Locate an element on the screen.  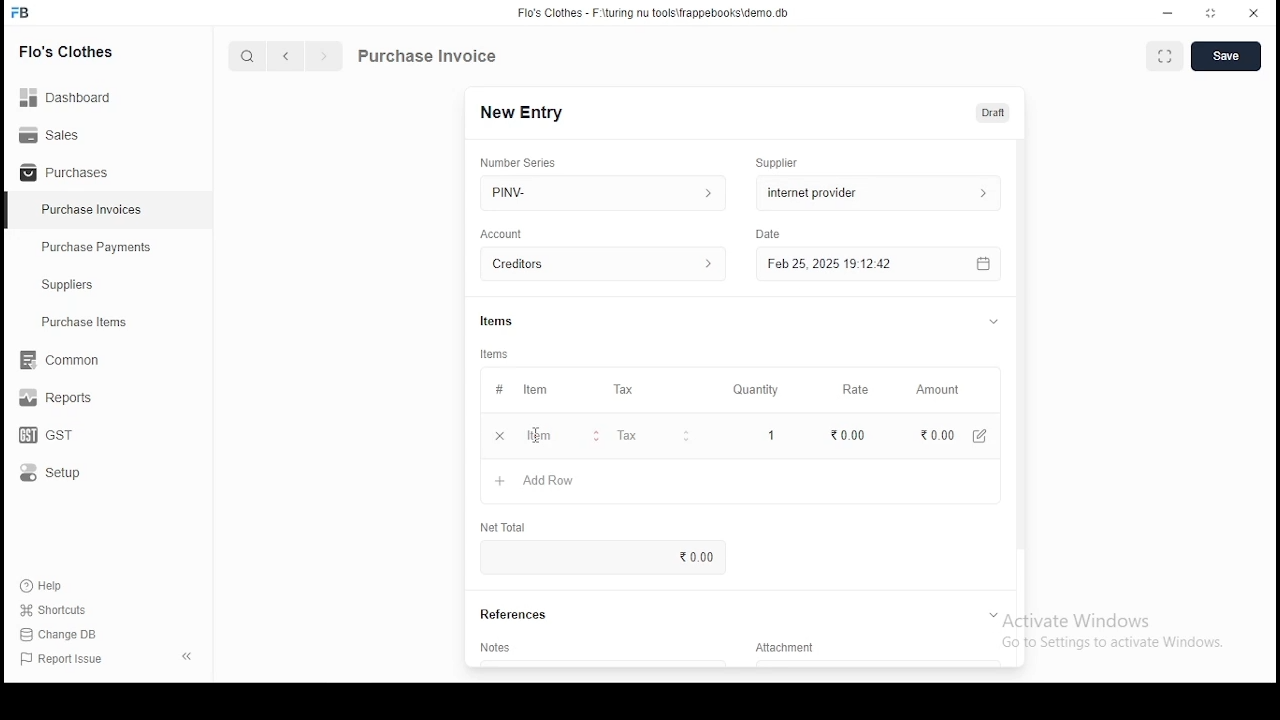
Attachment is located at coordinates (786, 646).